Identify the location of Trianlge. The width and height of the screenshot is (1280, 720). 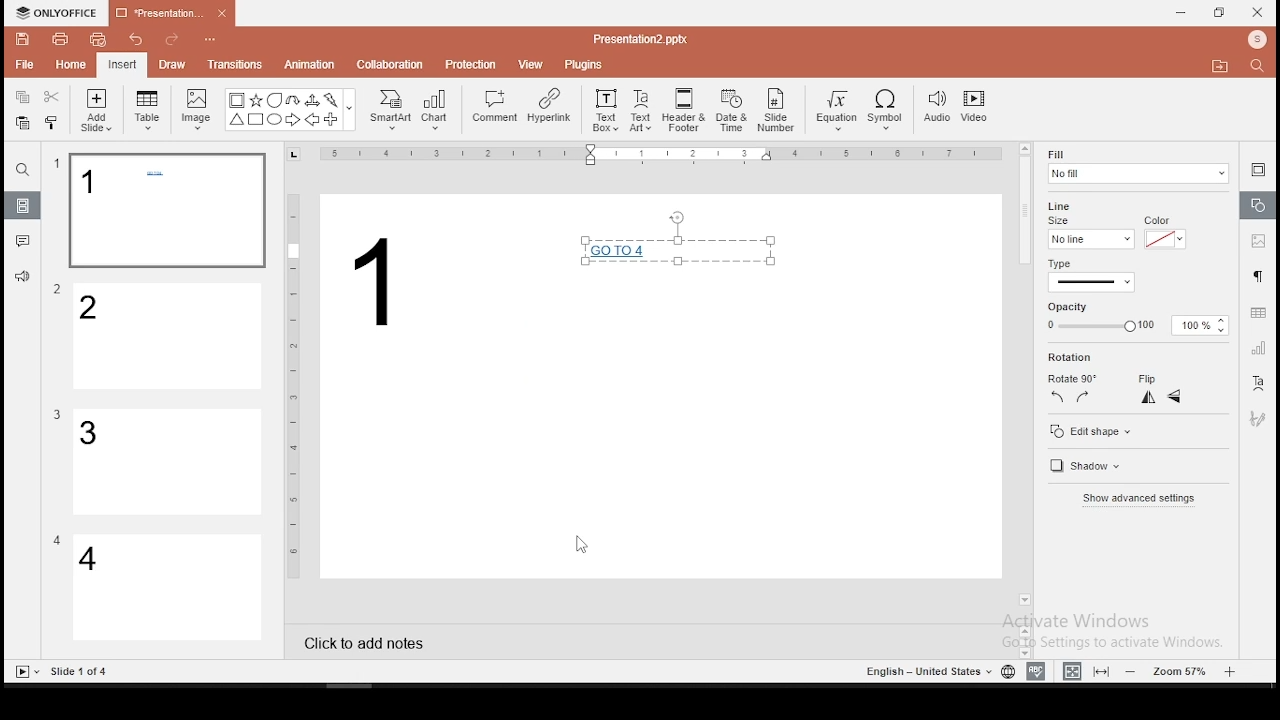
(235, 120).